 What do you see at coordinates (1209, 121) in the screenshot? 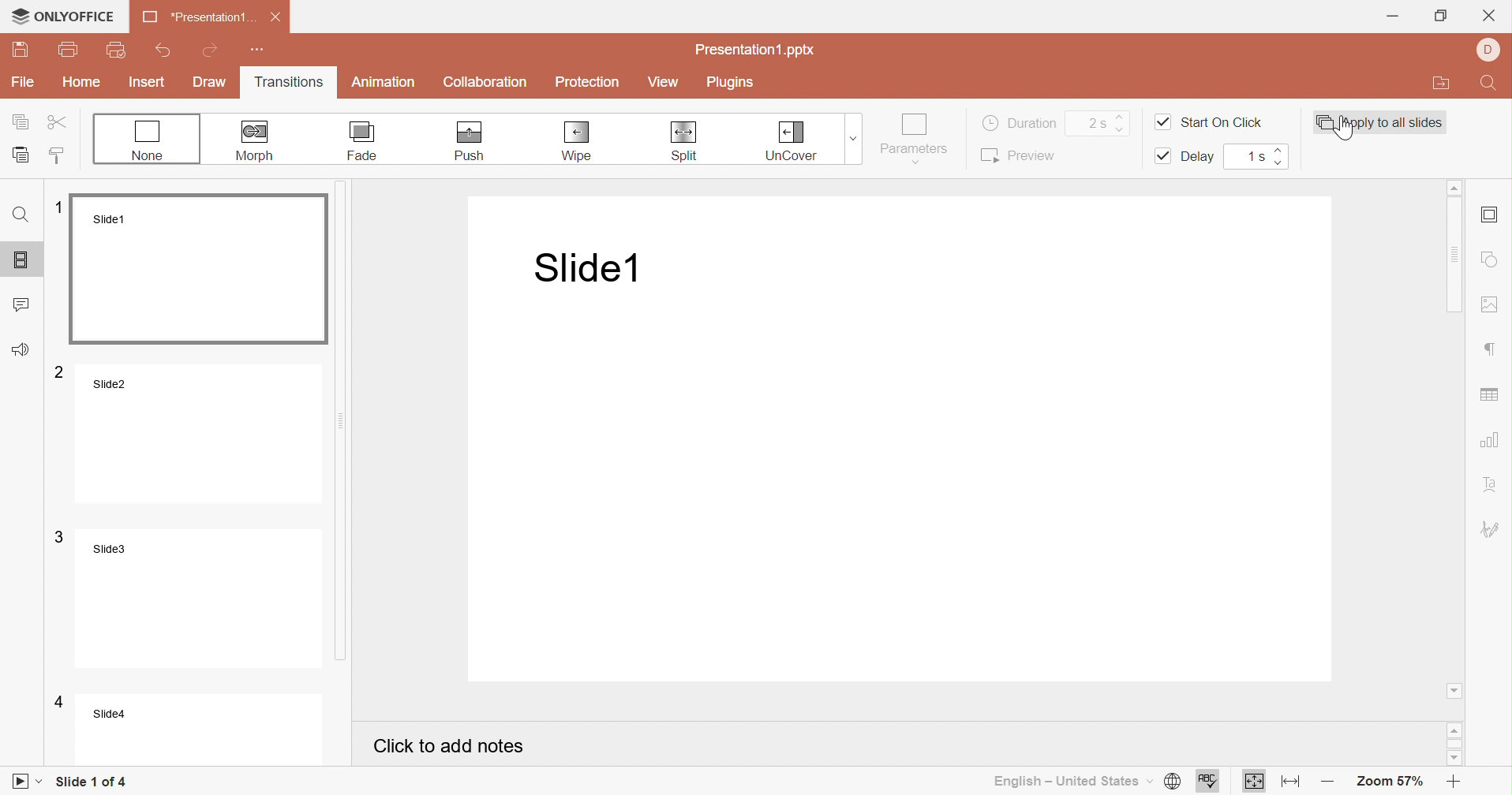
I see `Start On Click` at bounding box center [1209, 121].